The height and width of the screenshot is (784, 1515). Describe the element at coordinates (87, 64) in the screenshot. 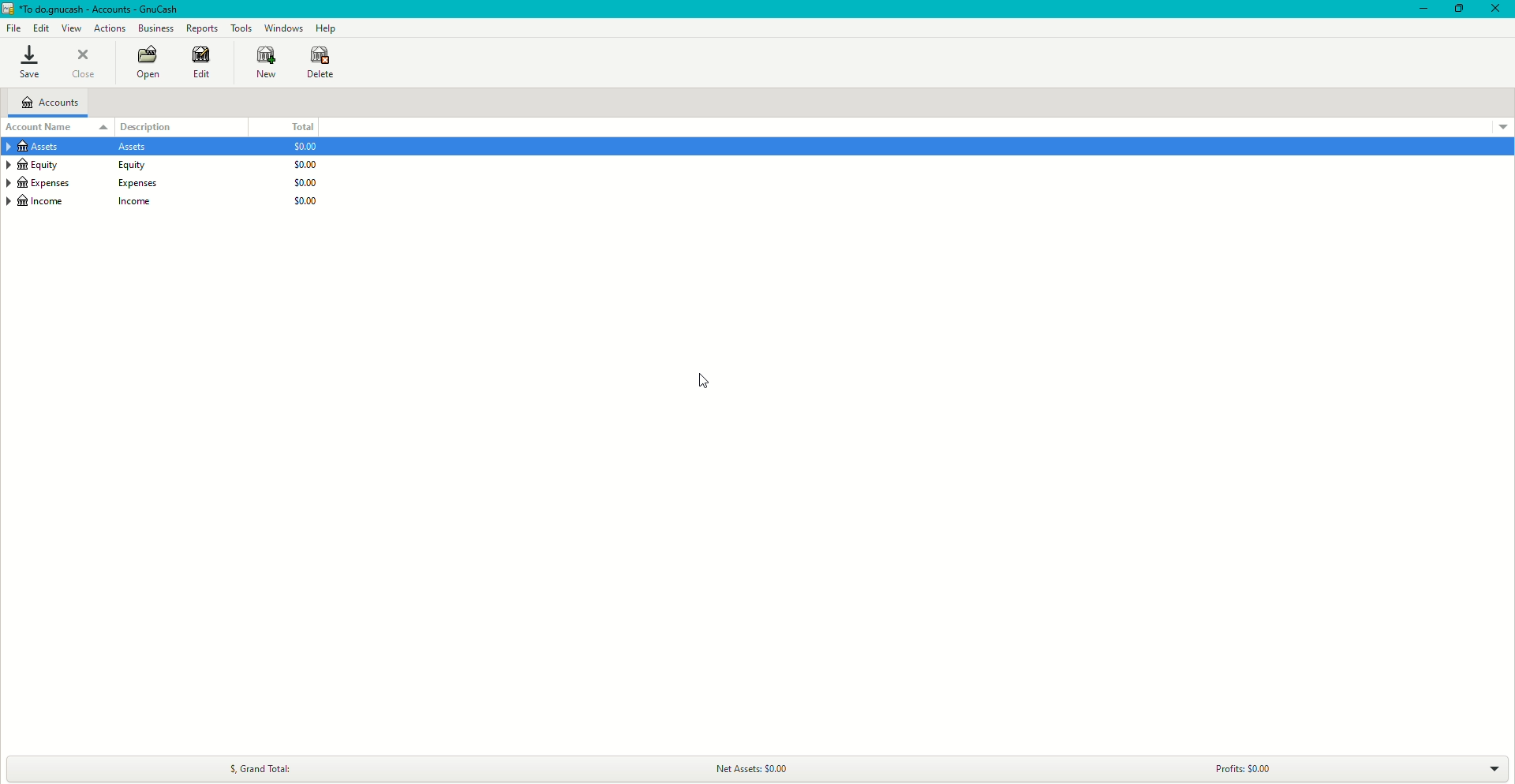

I see `Close` at that location.